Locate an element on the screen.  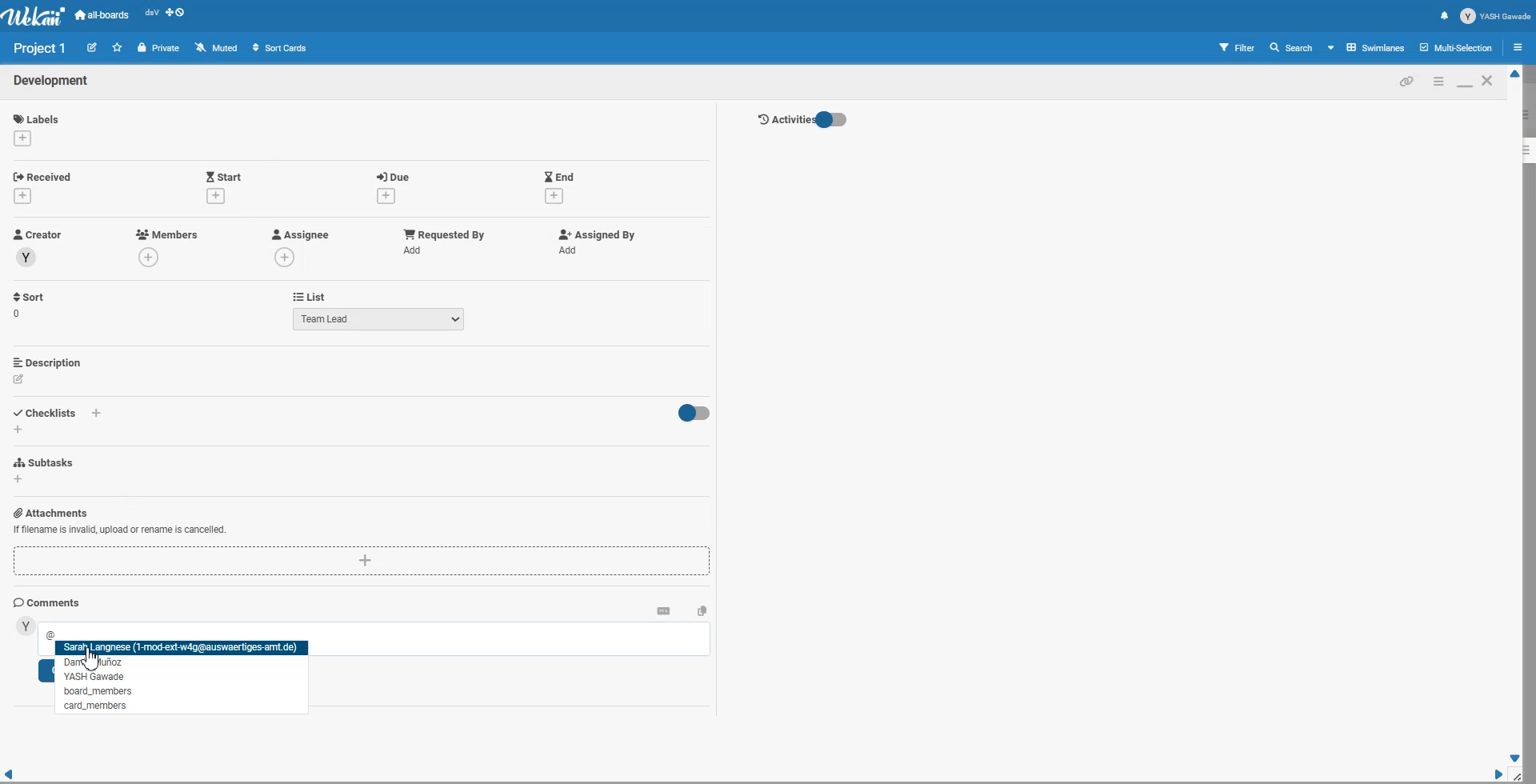
edit is located at coordinates (19, 379).